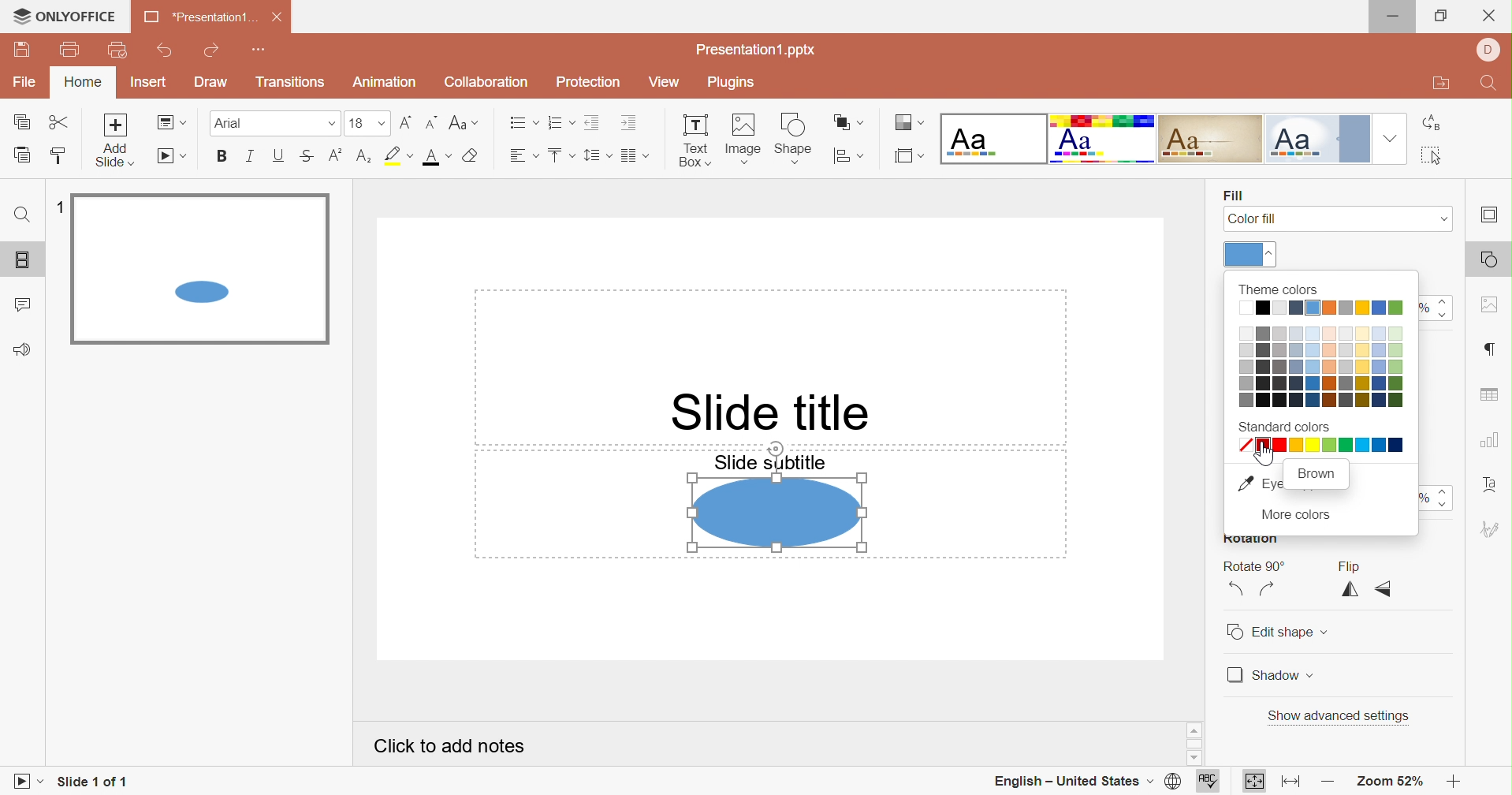 This screenshot has width=1512, height=795. What do you see at coordinates (695, 142) in the screenshot?
I see `Text Box` at bounding box center [695, 142].